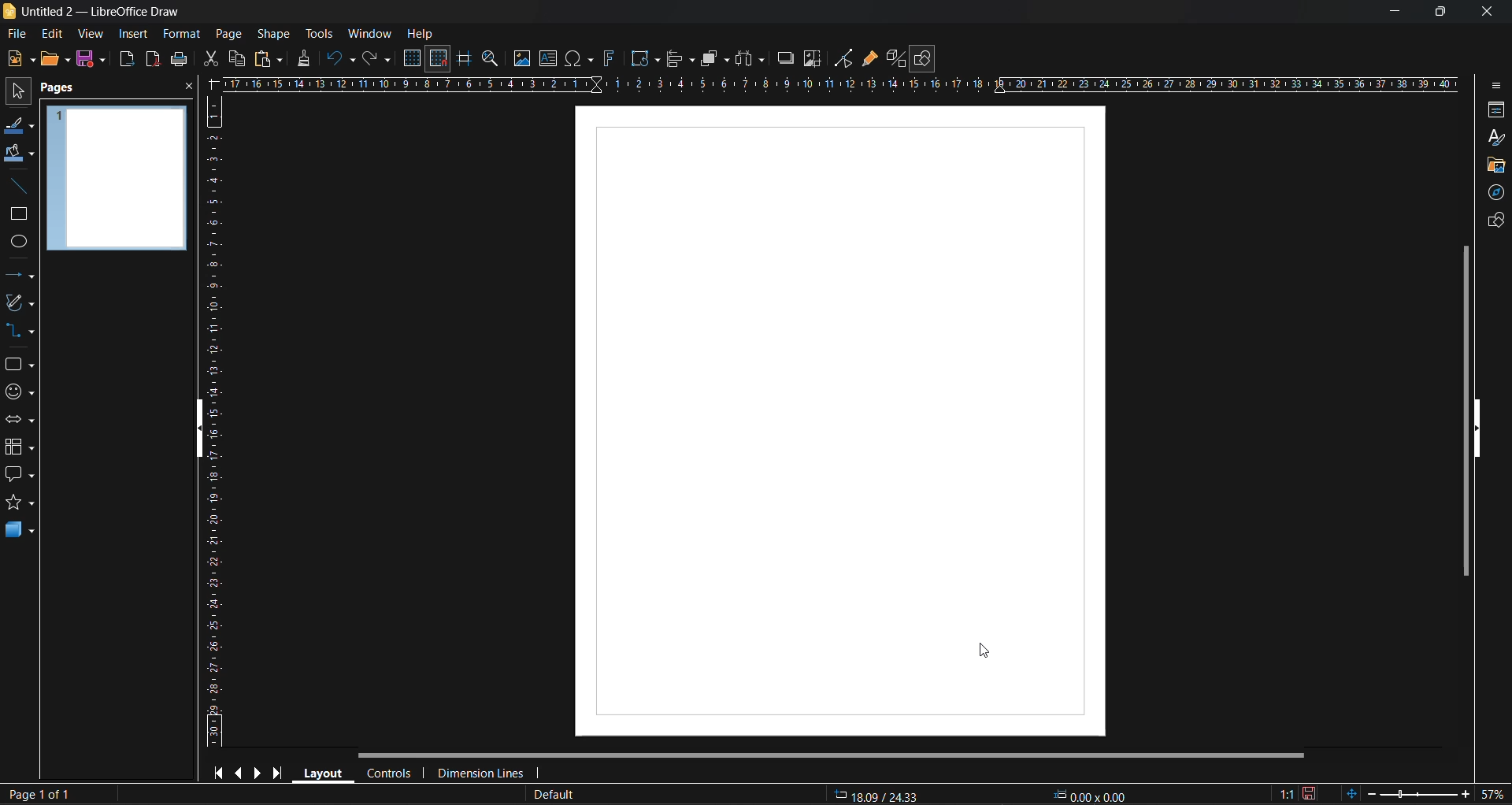  What do you see at coordinates (128, 59) in the screenshot?
I see `export` at bounding box center [128, 59].